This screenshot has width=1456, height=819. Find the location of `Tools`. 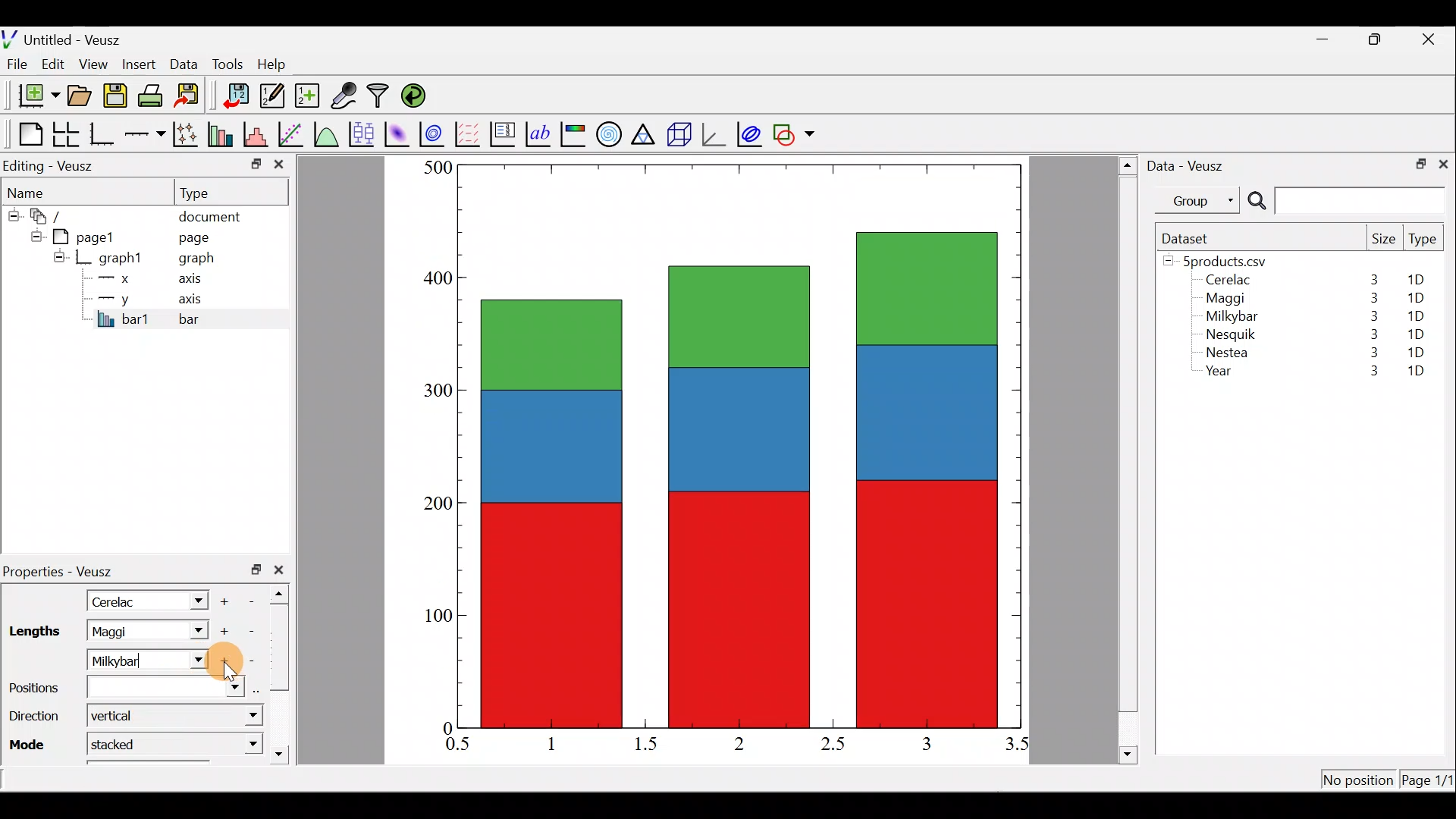

Tools is located at coordinates (227, 63).